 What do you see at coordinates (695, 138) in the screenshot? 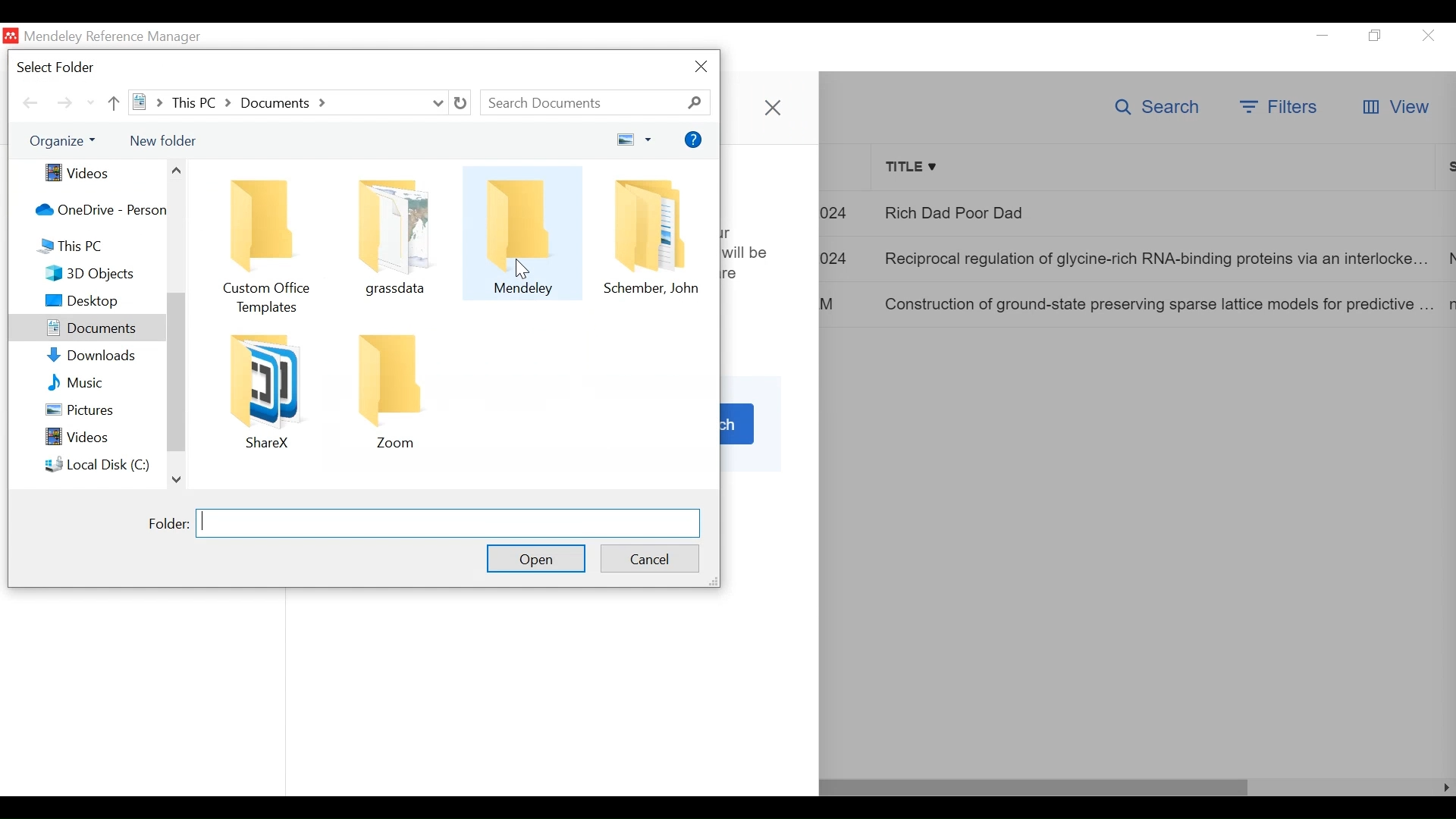
I see `Help` at bounding box center [695, 138].